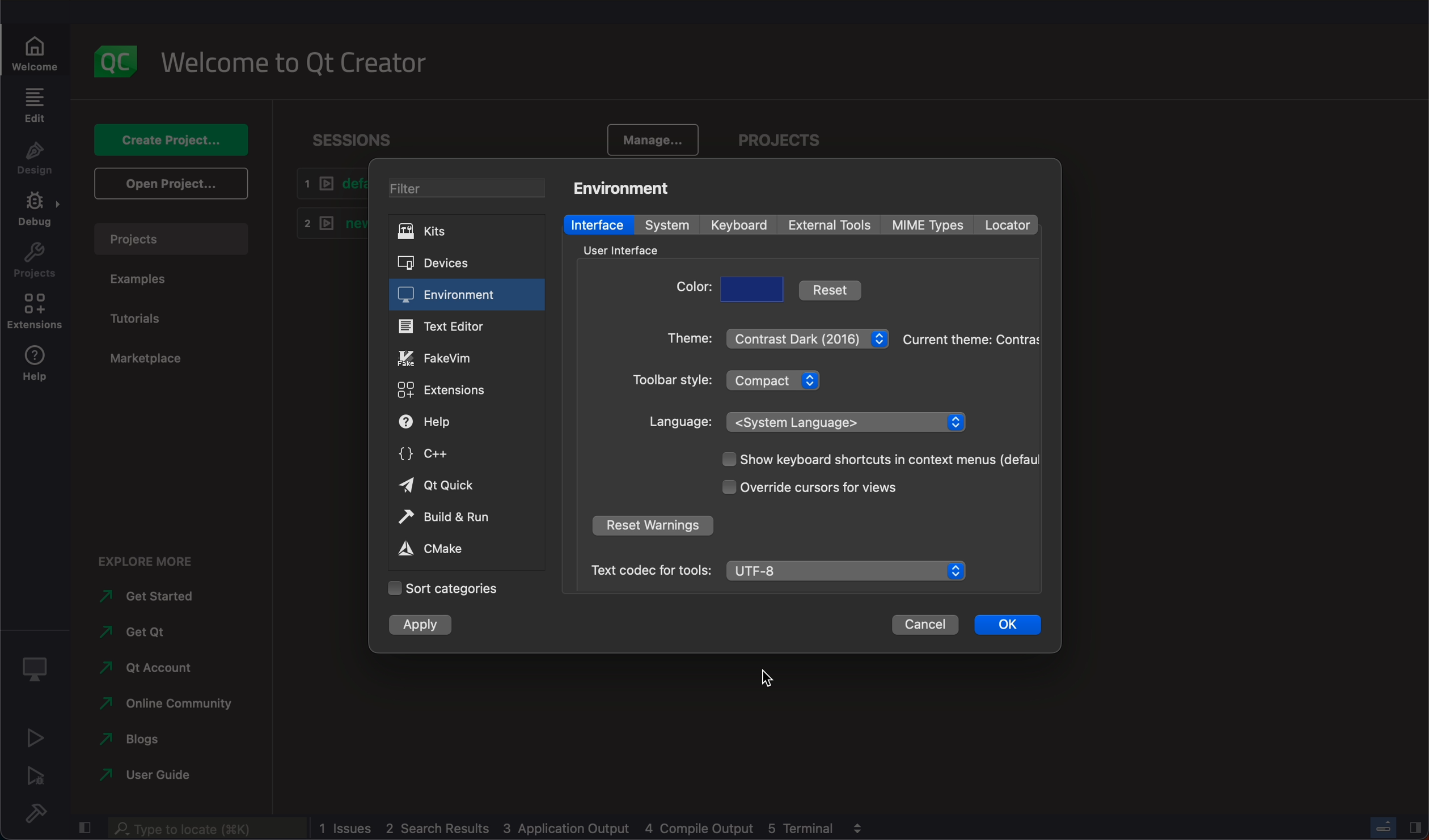 The width and height of the screenshot is (1429, 840). I want to click on apply, so click(423, 625).